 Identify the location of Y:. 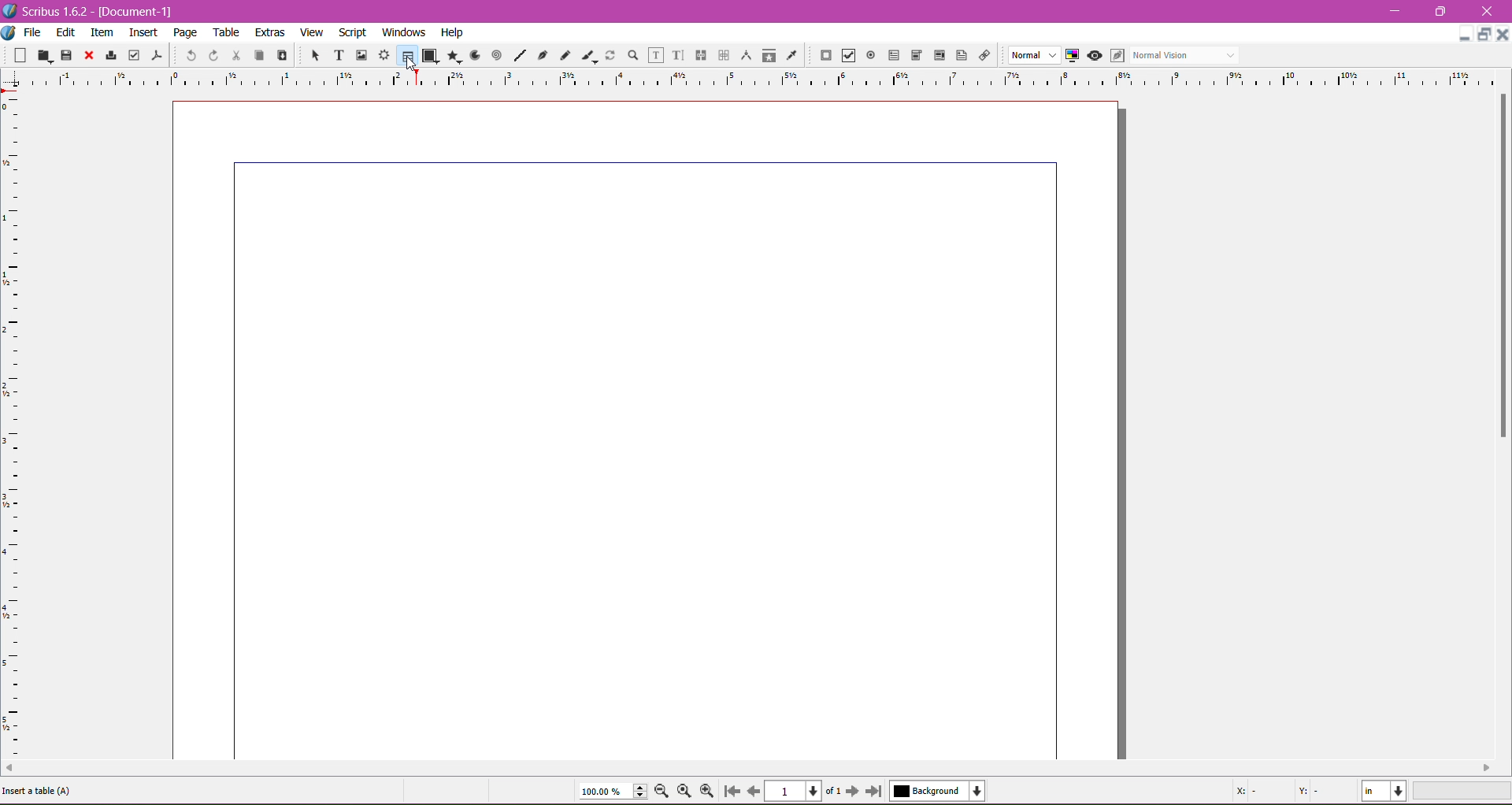
(1306, 789).